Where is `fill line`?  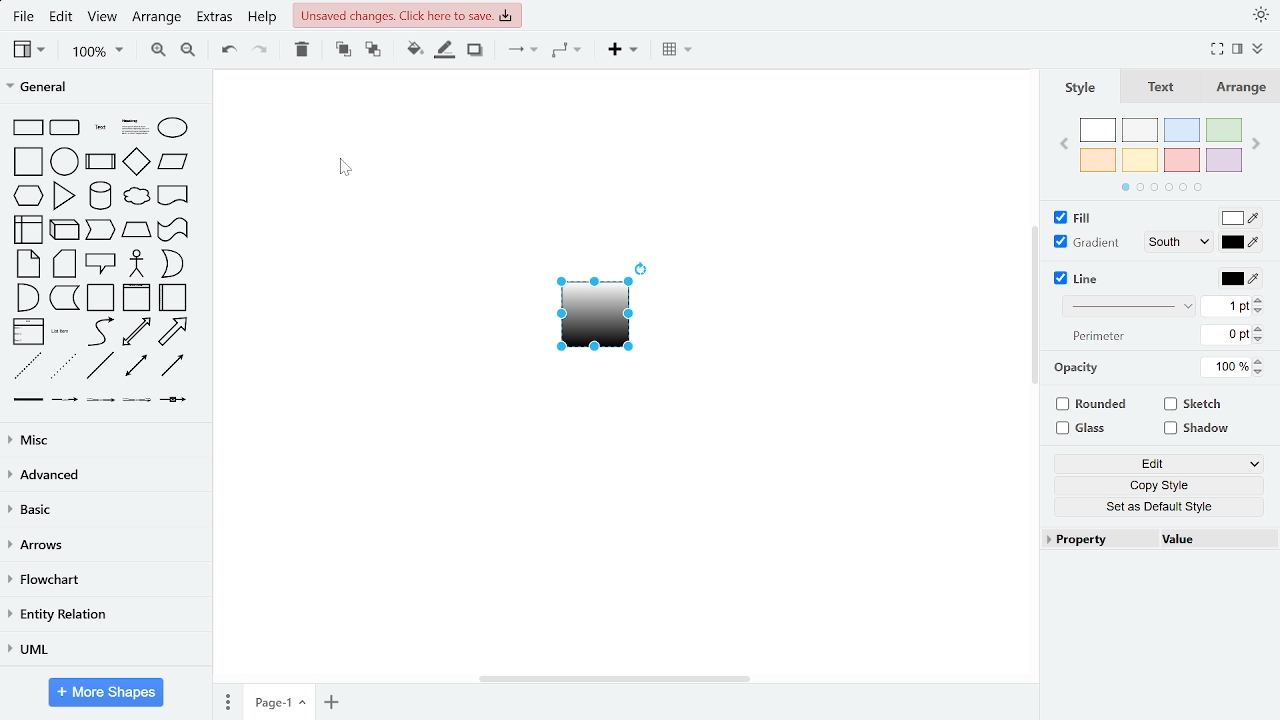 fill line is located at coordinates (444, 51).